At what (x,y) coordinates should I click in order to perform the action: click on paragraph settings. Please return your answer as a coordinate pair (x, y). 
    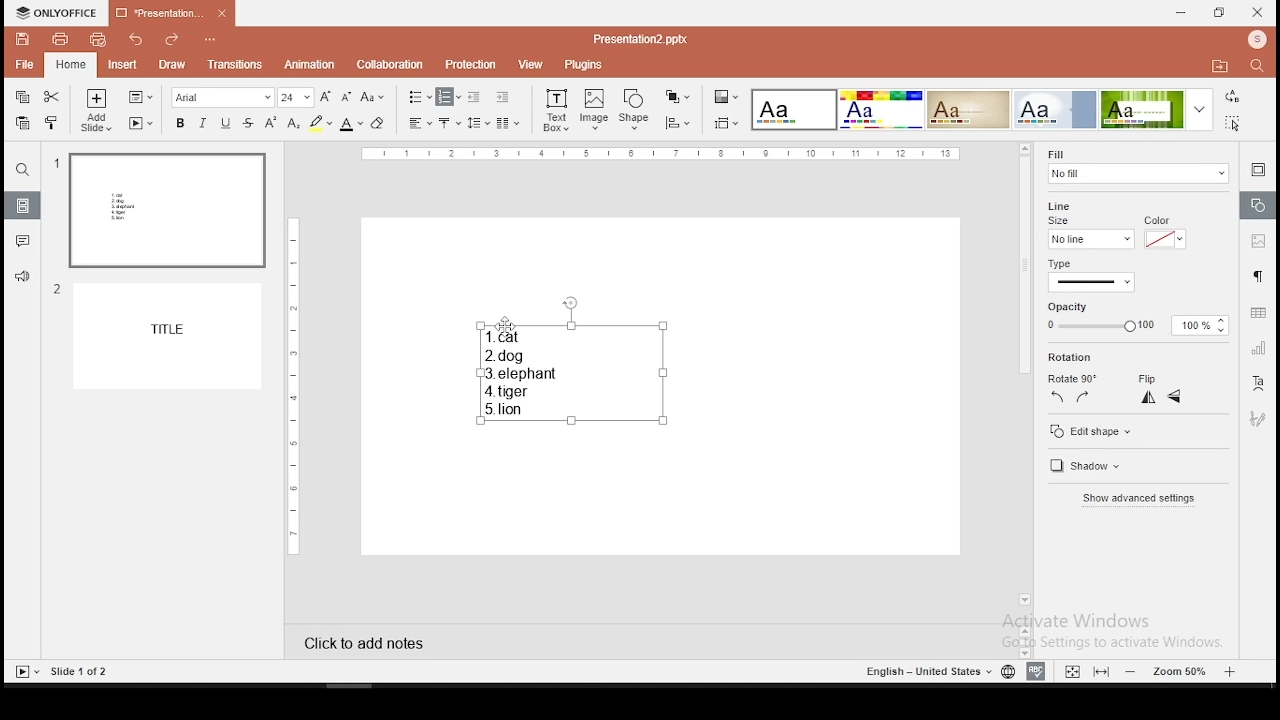
    Looking at the image, I should click on (1257, 278).